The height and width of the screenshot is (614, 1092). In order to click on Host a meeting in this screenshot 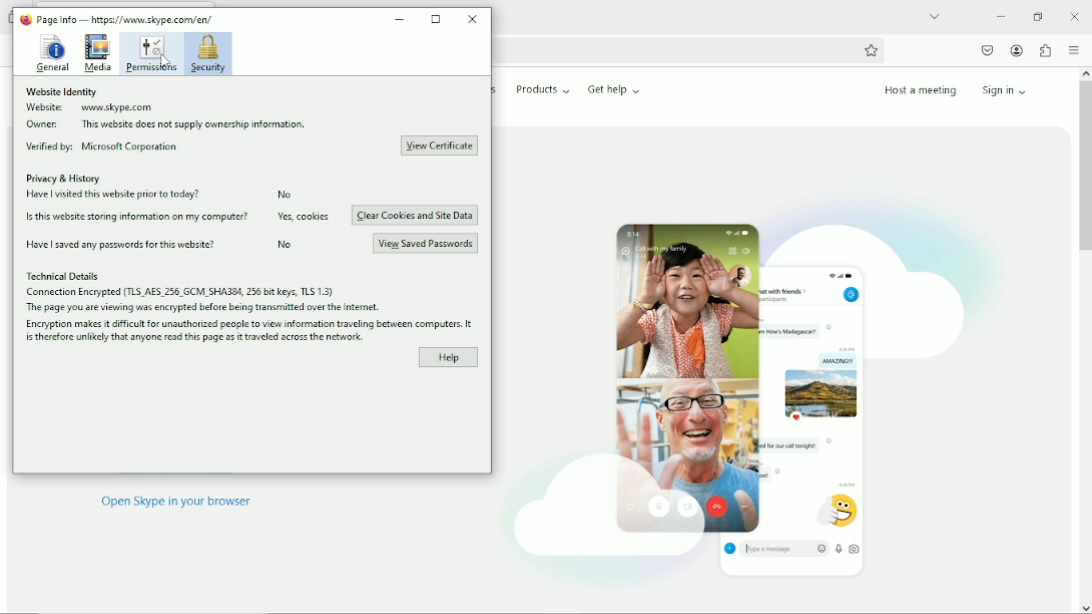, I will do `click(919, 90)`.